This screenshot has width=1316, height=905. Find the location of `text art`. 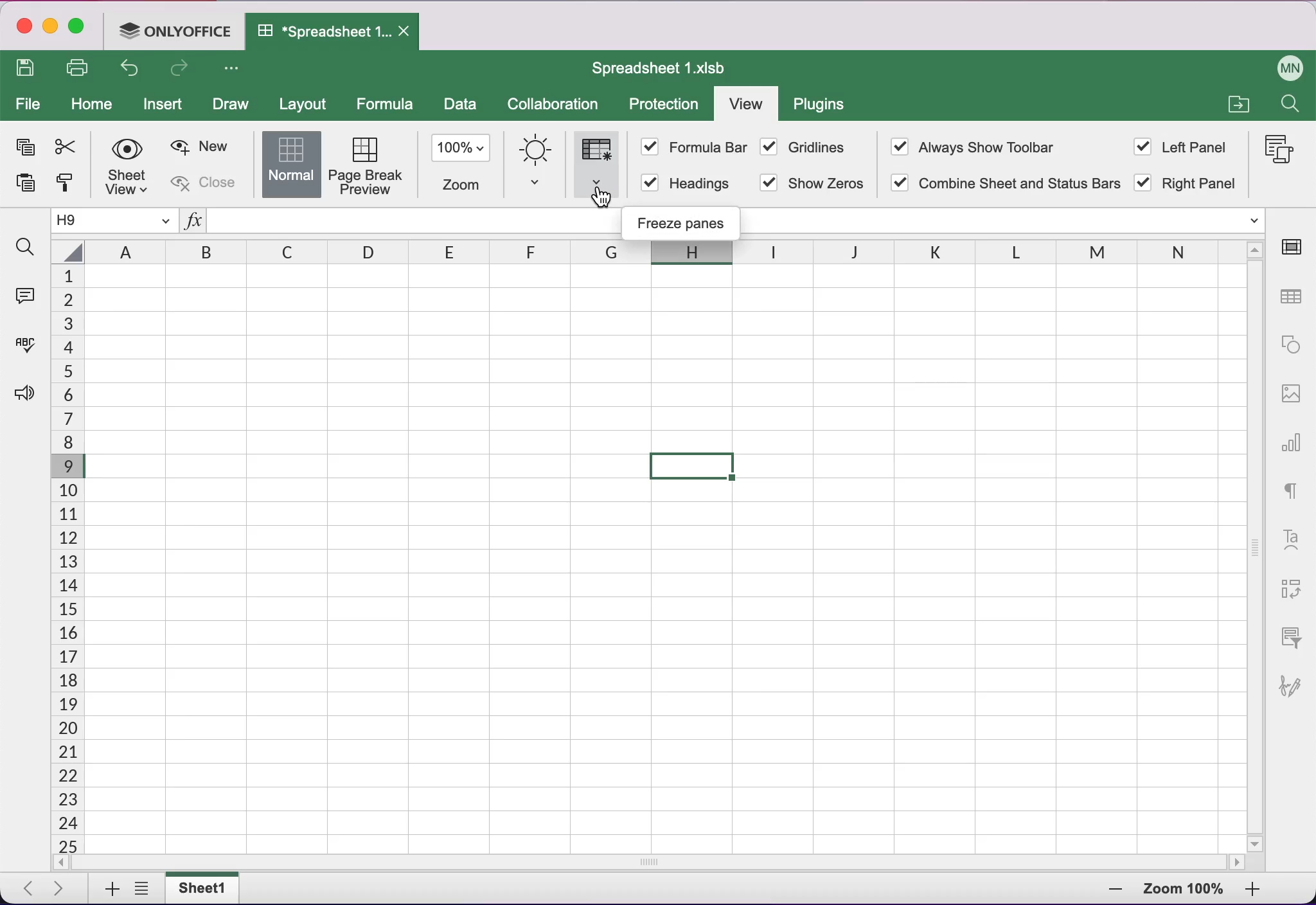

text art is located at coordinates (1294, 539).